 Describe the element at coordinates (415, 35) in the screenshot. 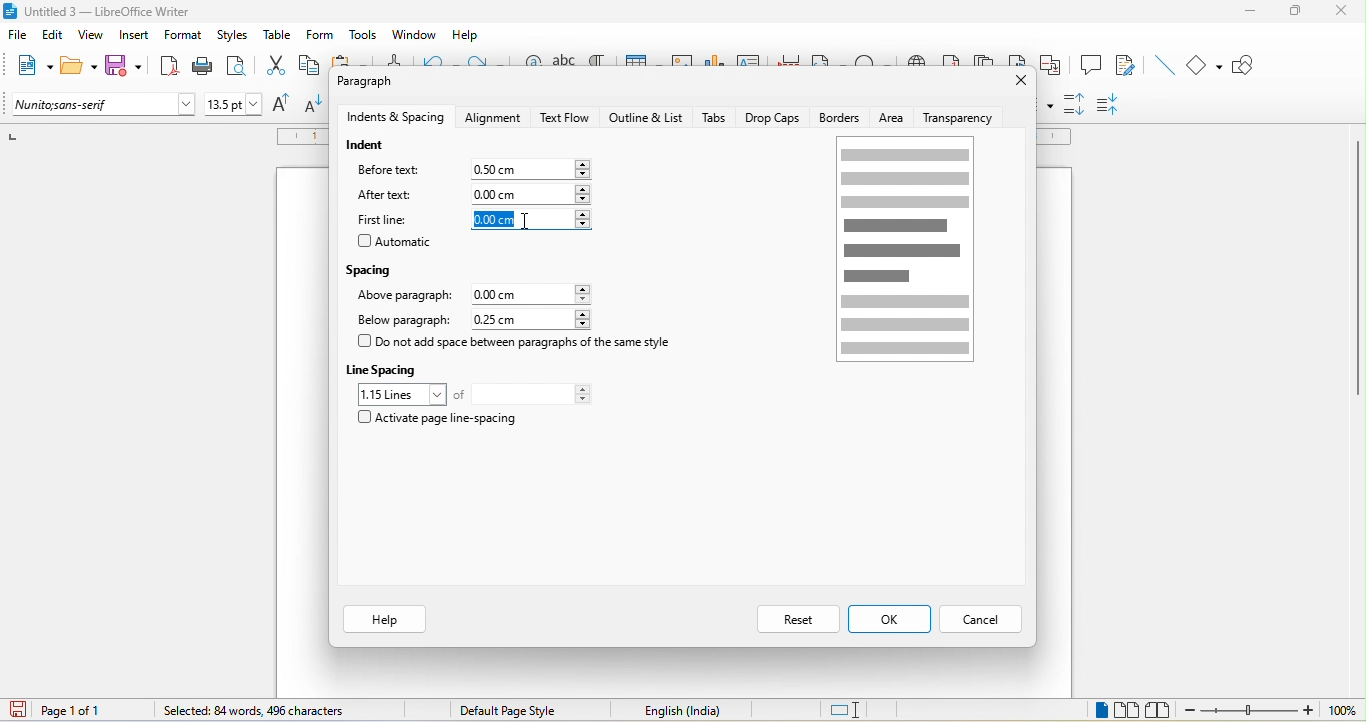

I see `window` at that location.